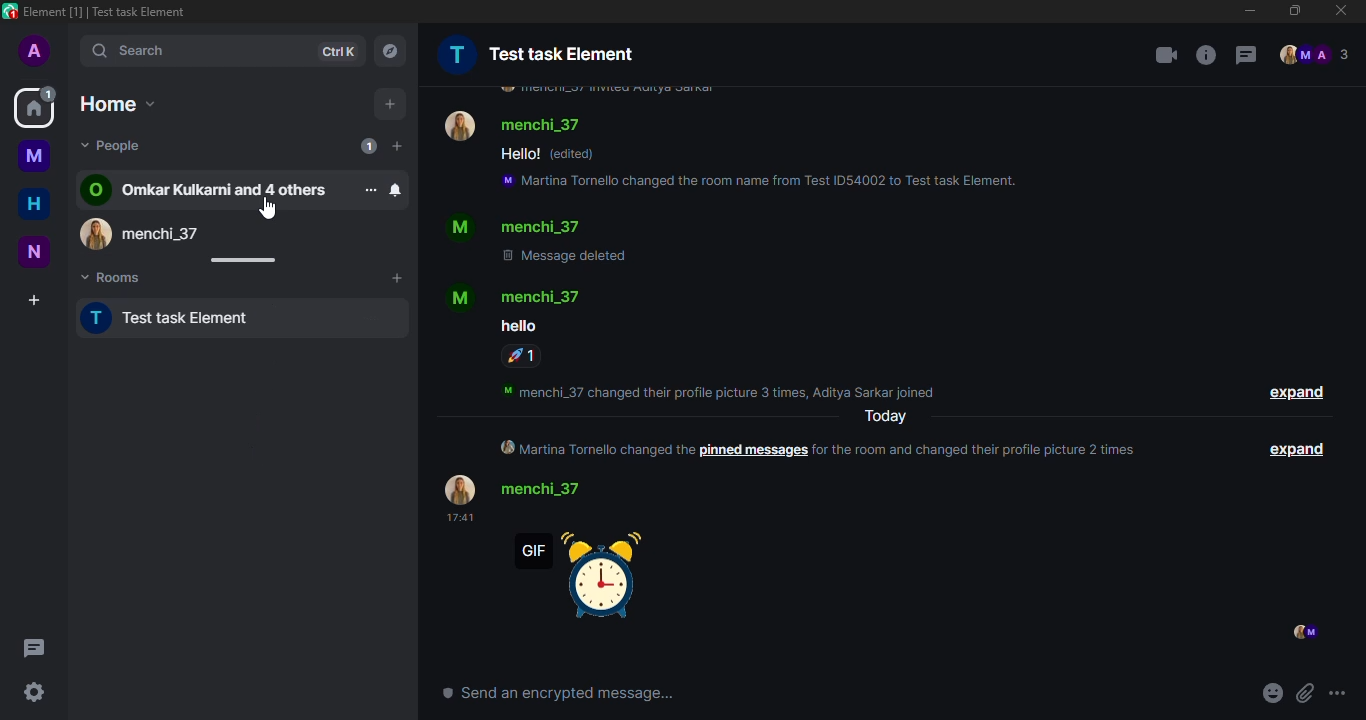 The image size is (1366, 720). I want to click on notification setting, so click(395, 189).